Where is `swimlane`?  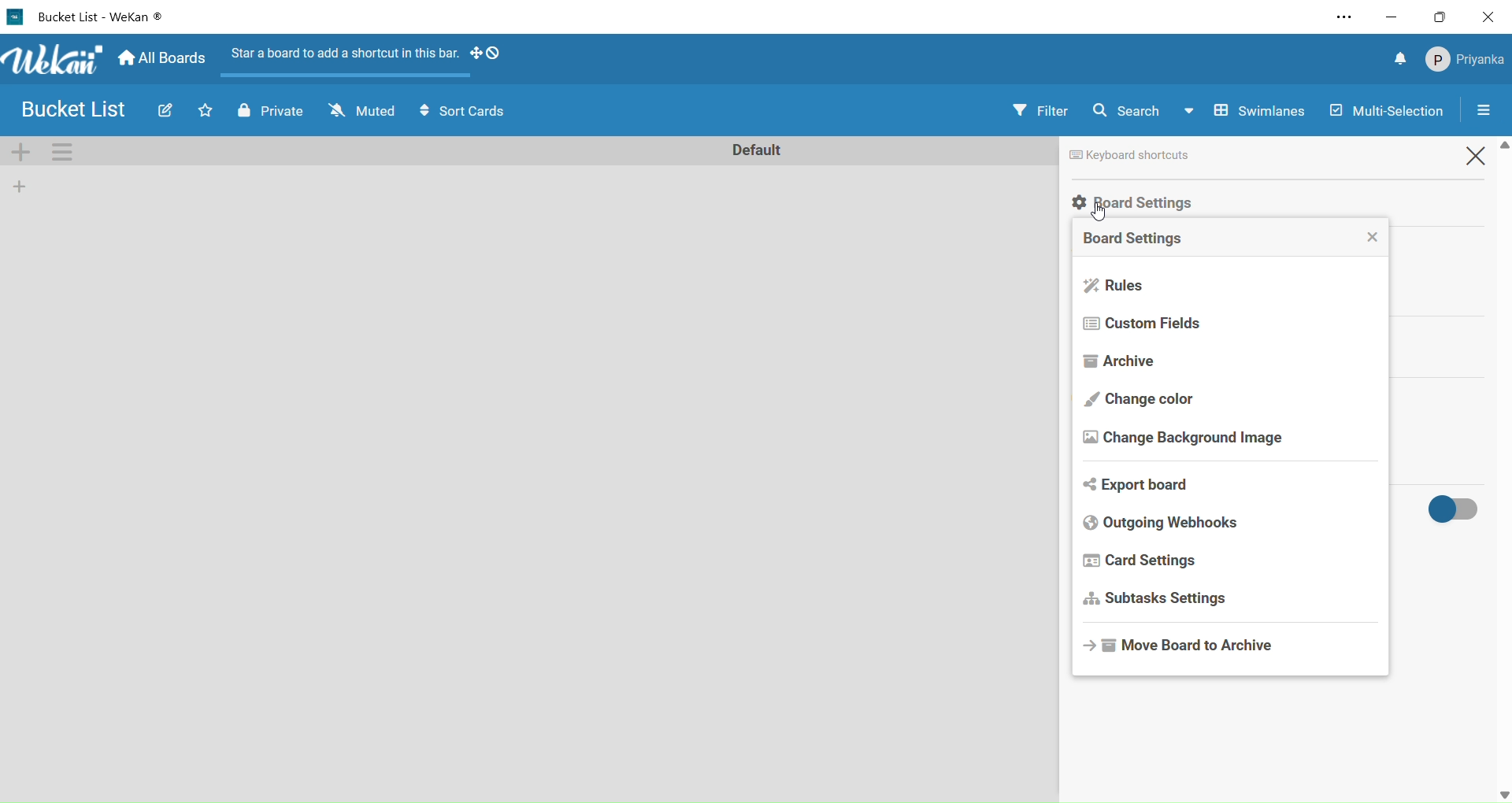 swimlane is located at coordinates (1246, 109).